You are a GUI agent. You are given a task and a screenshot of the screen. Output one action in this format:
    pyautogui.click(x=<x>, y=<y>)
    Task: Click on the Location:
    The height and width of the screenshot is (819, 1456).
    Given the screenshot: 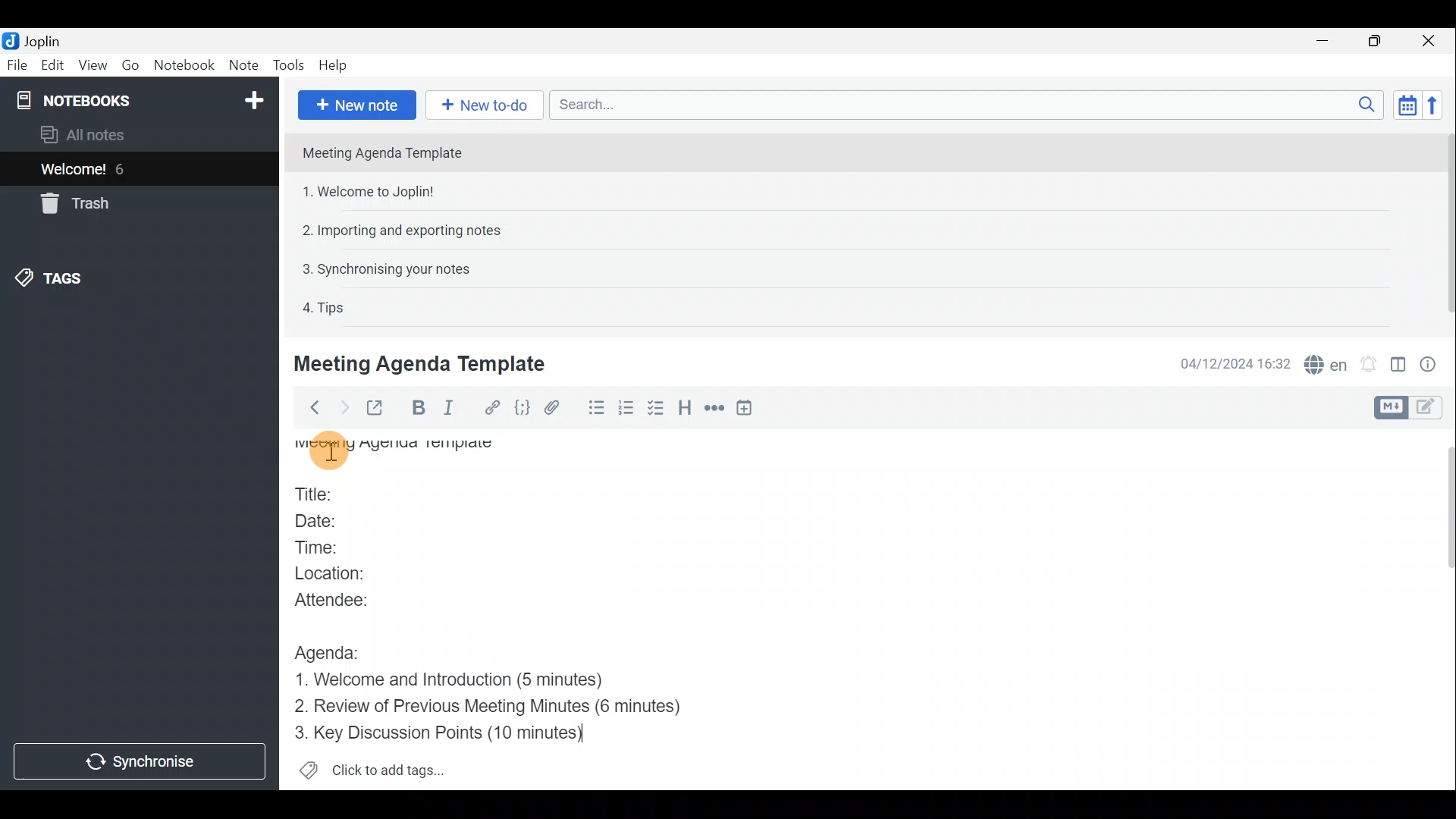 What is the action you would take?
    pyautogui.click(x=343, y=575)
    